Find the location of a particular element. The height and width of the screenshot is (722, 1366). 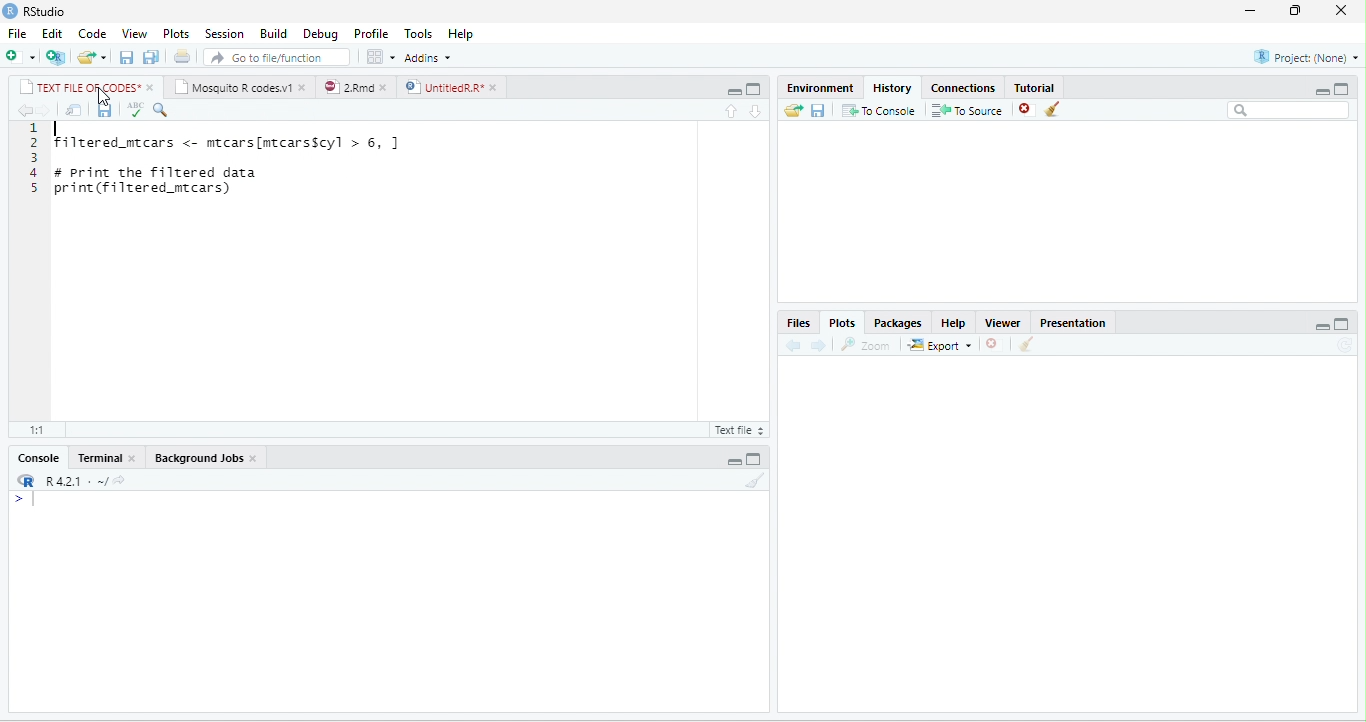

minimize is located at coordinates (734, 91).